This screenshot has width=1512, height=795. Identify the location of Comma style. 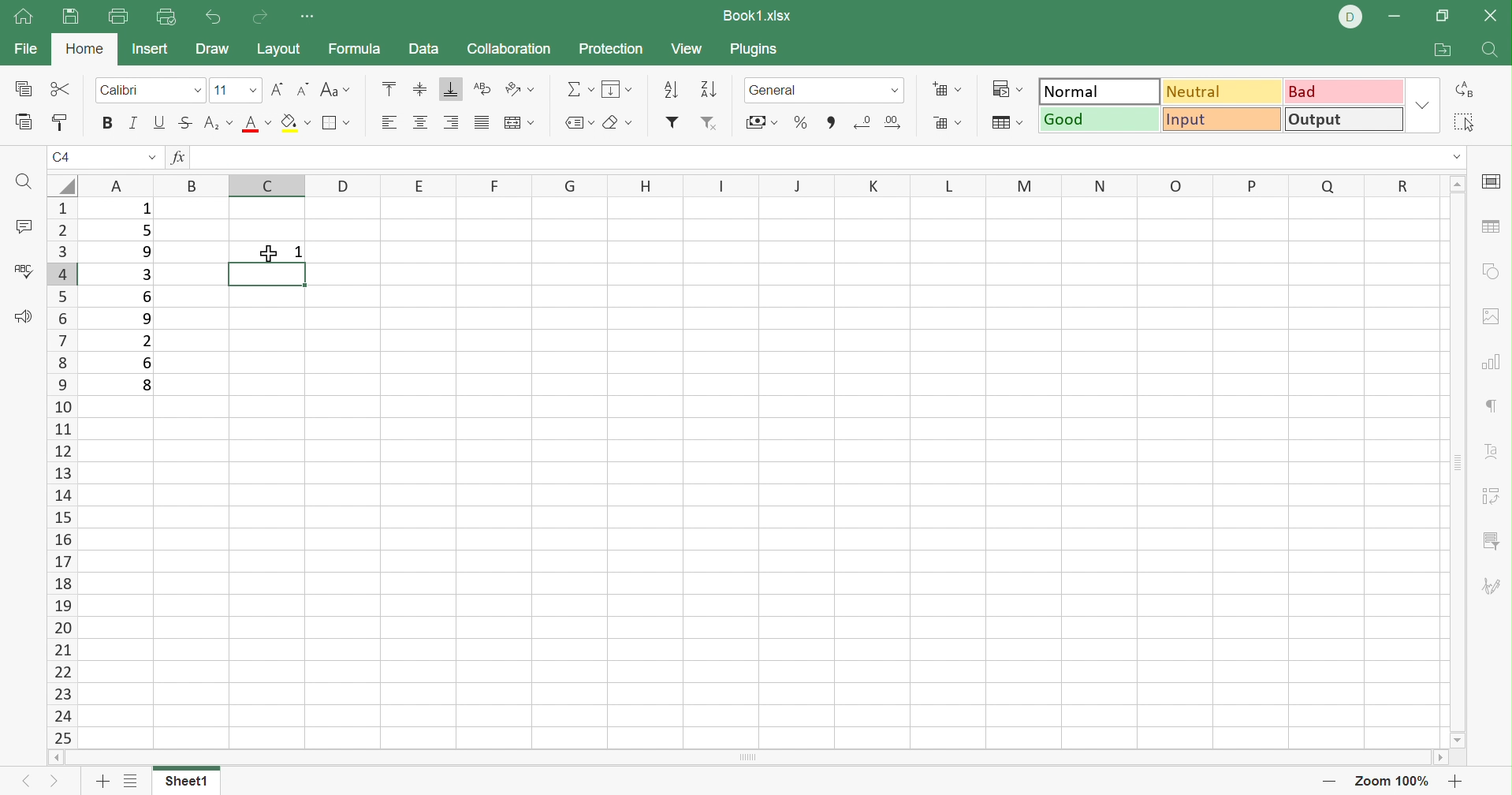
(831, 121).